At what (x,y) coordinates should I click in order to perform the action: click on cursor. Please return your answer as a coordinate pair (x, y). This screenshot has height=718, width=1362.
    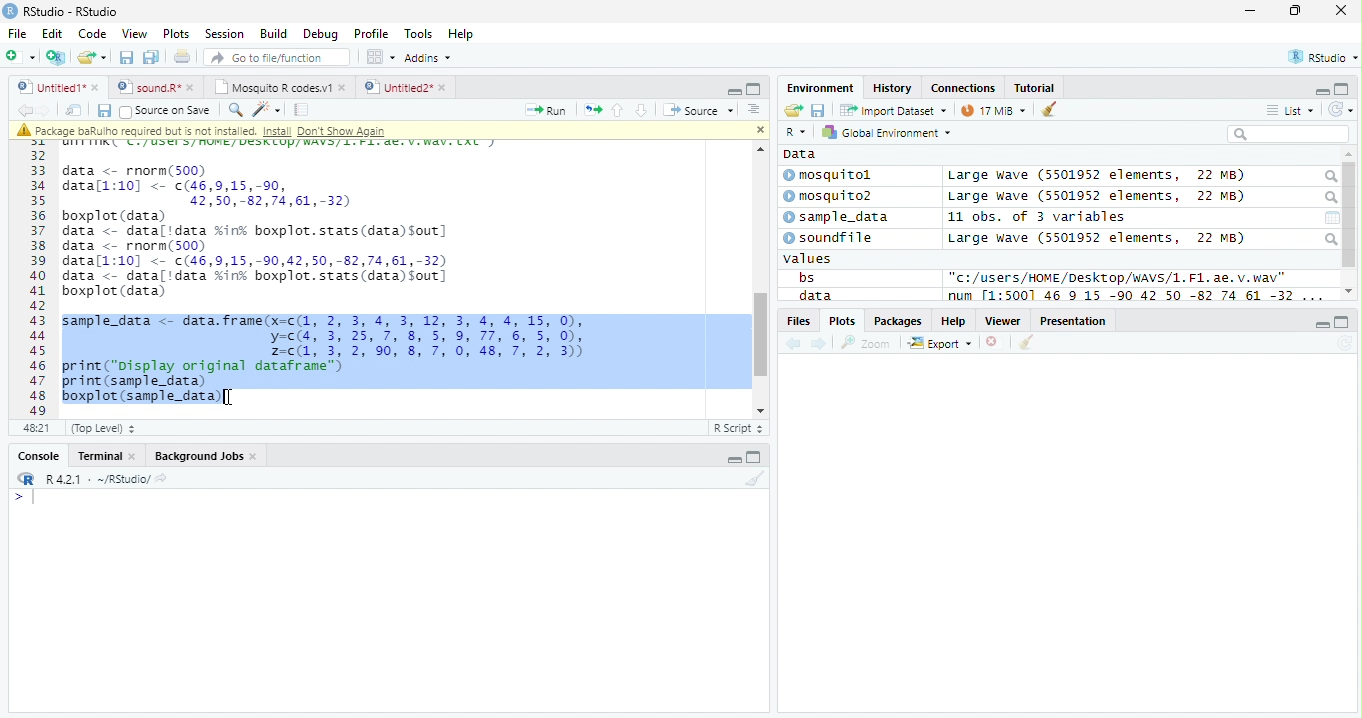
    Looking at the image, I should click on (230, 397).